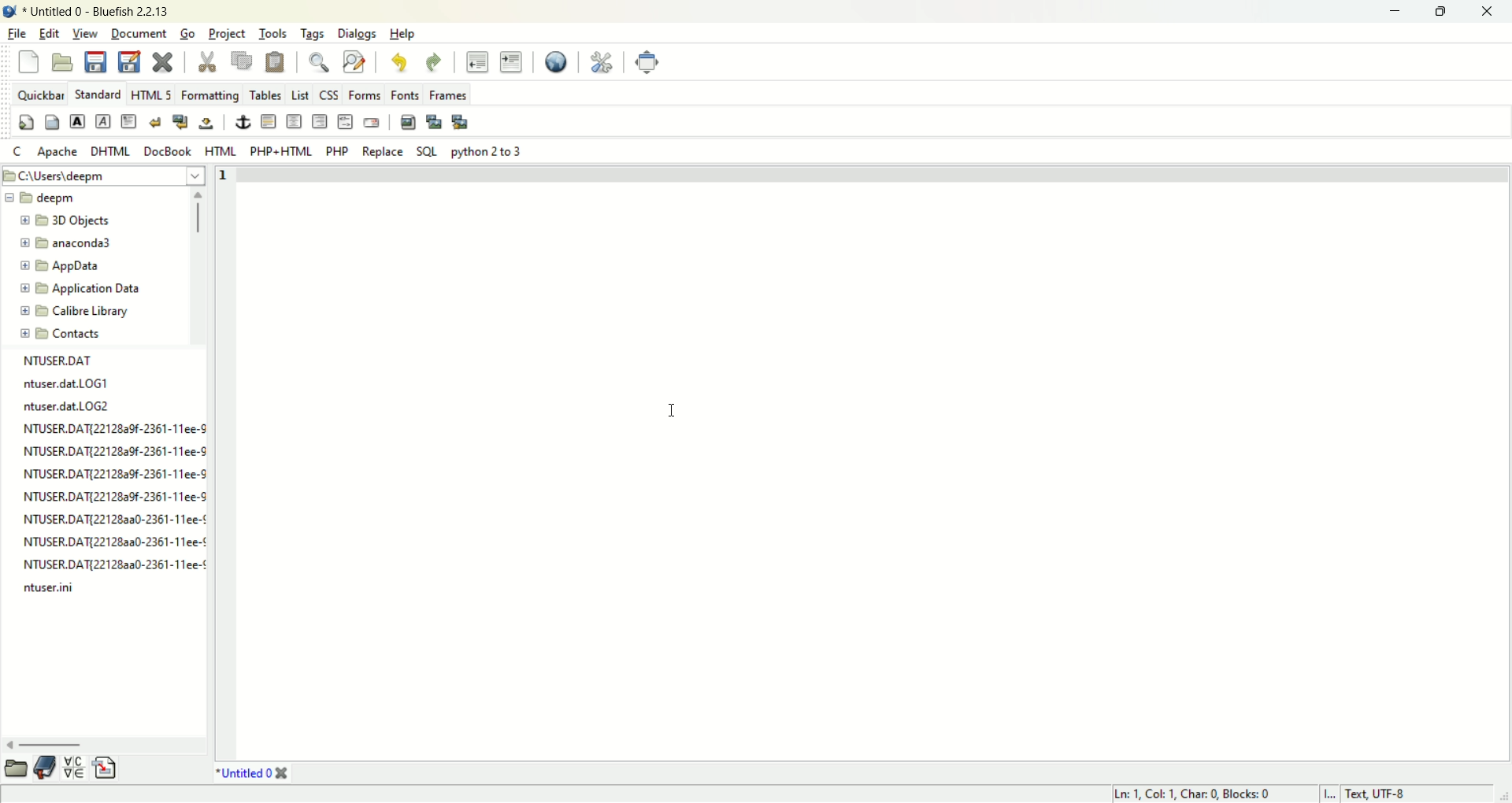 This screenshot has width=1512, height=803. Describe the element at coordinates (321, 121) in the screenshot. I see `right justify` at that location.